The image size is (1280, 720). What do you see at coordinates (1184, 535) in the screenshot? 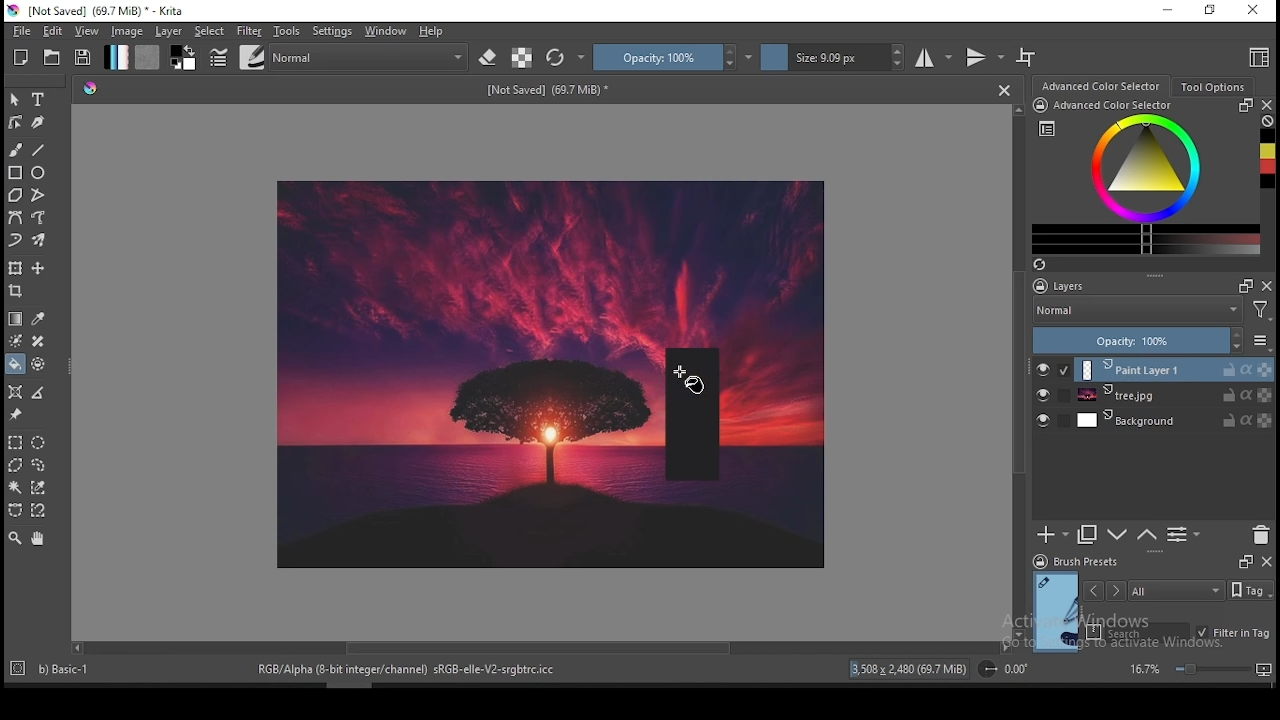
I see `view or change layer properties` at bounding box center [1184, 535].